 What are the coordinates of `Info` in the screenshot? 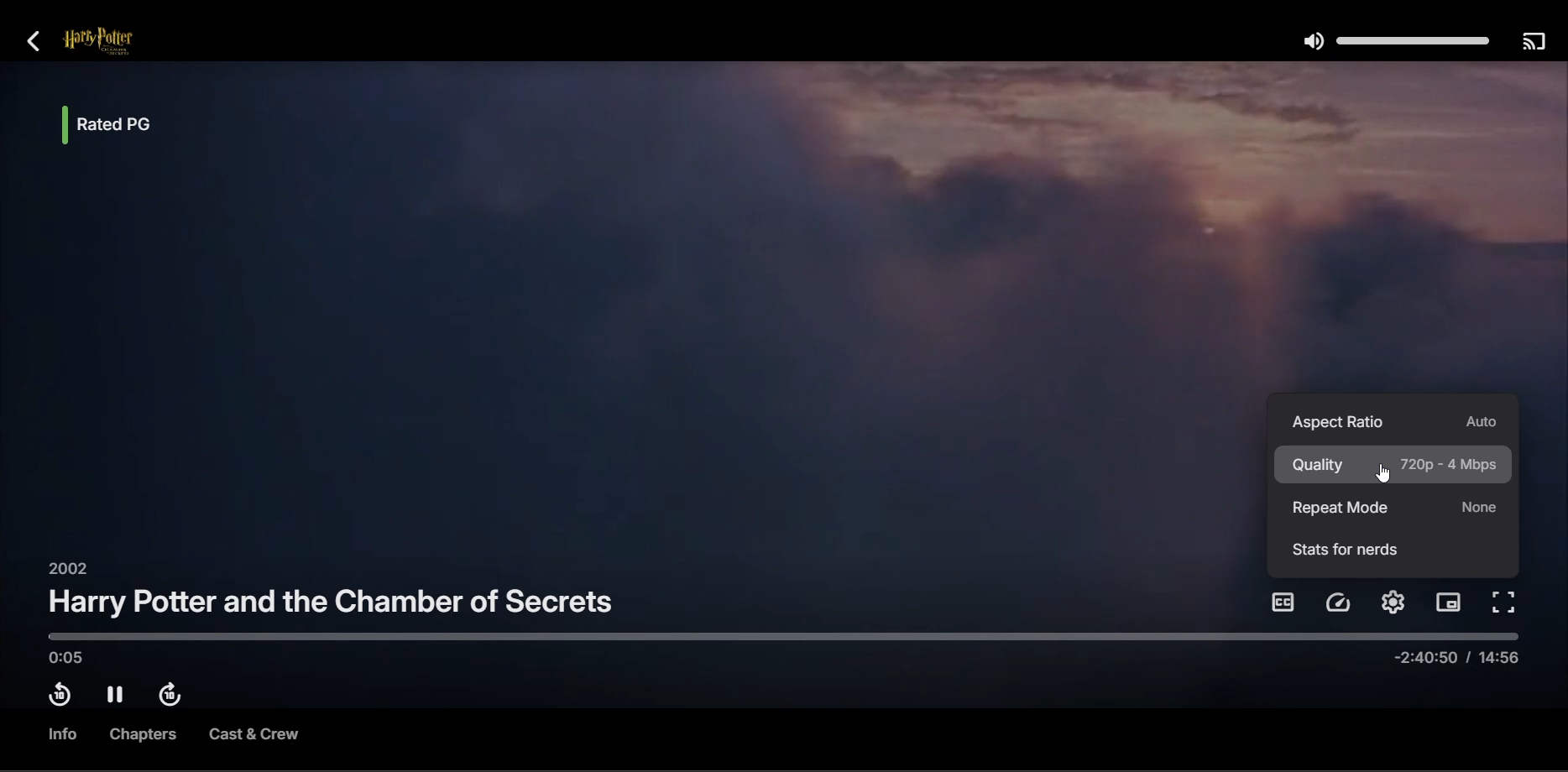 It's located at (59, 734).